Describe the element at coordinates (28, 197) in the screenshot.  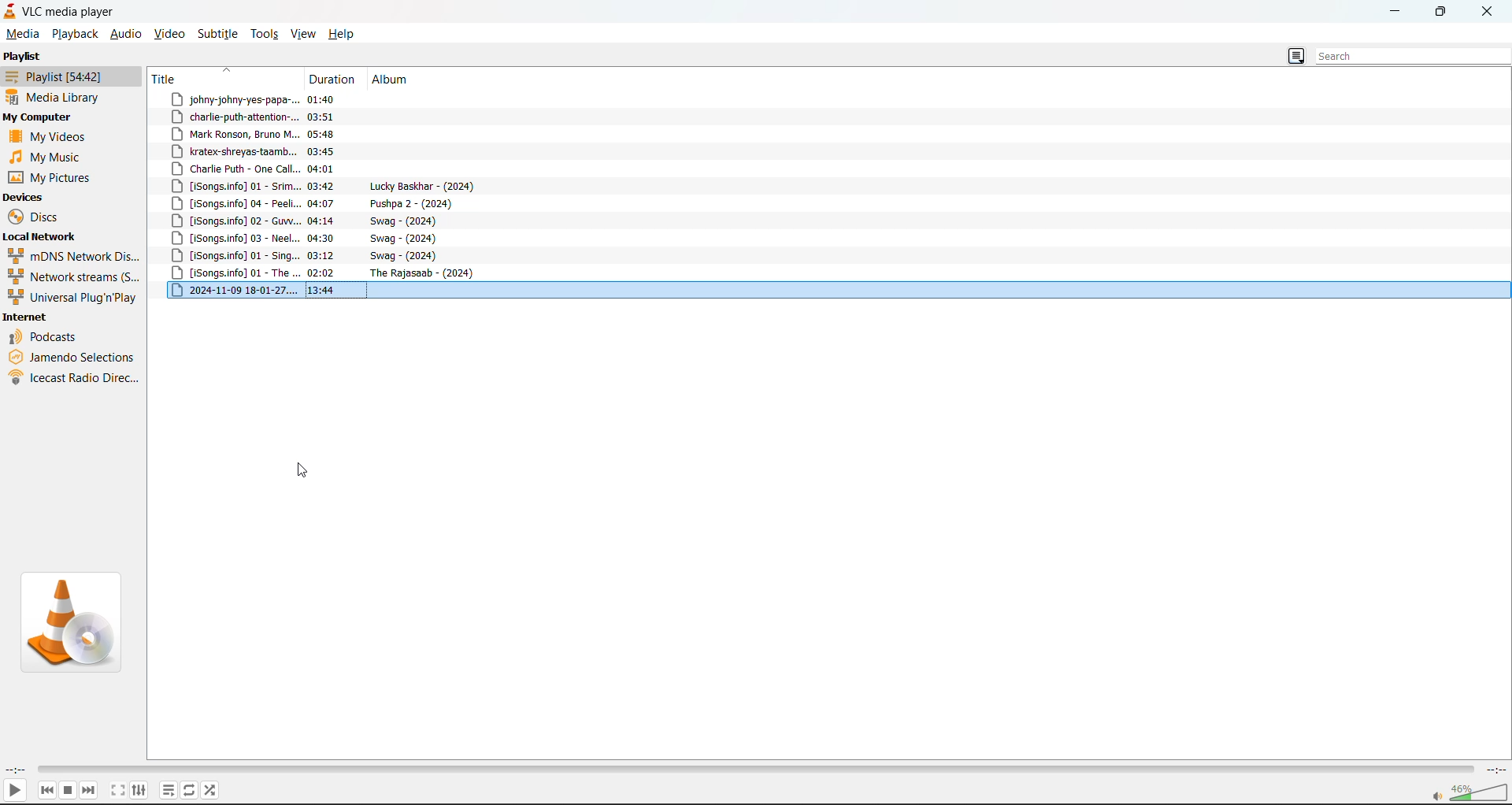
I see `devices` at that location.